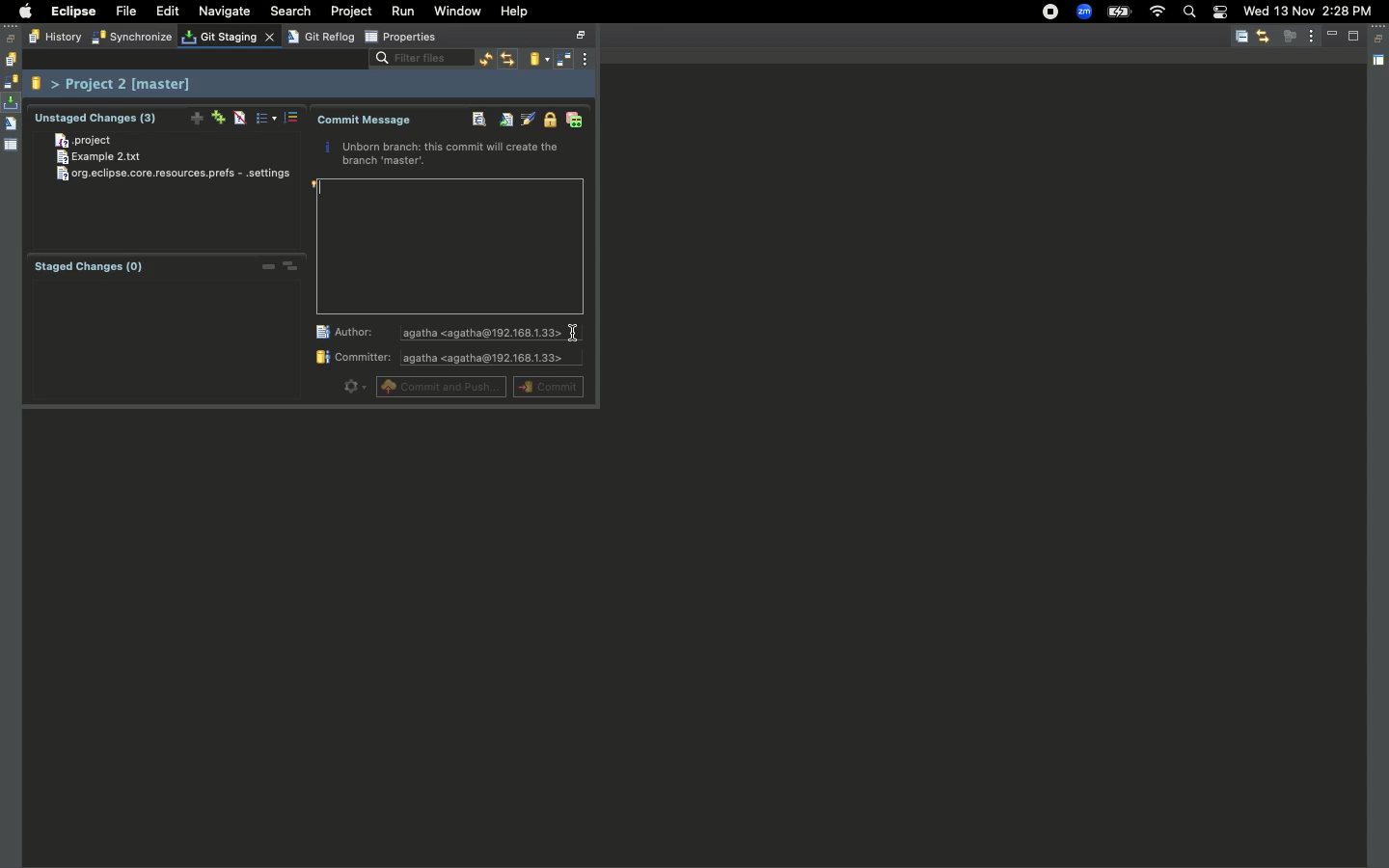 The width and height of the screenshot is (1389, 868). Describe the element at coordinates (1380, 40) in the screenshot. I see `Restore` at that location.